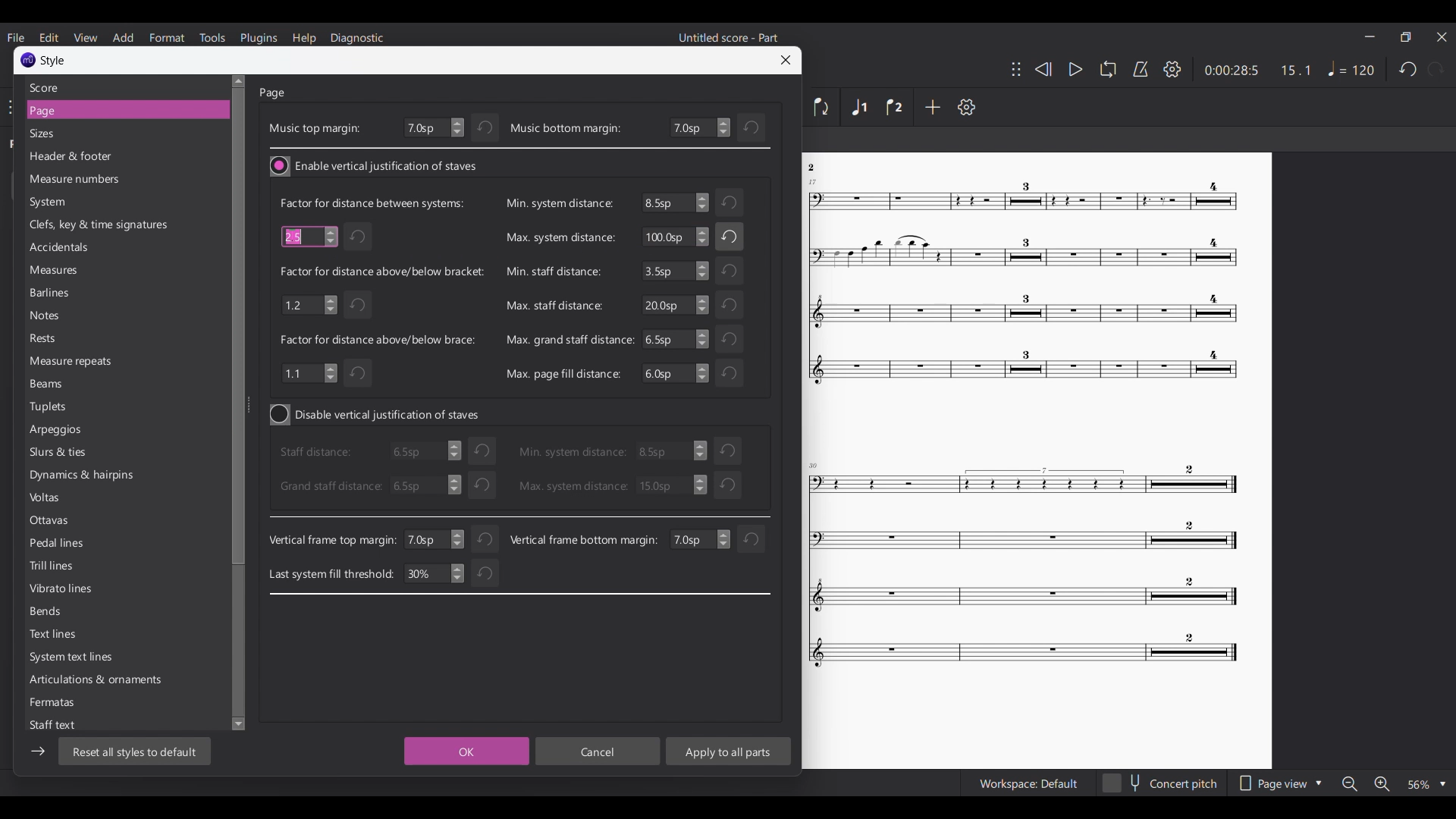  Describe the element at coordinates (674, 305) in the screenshot. I see `20.0sp` at that location.